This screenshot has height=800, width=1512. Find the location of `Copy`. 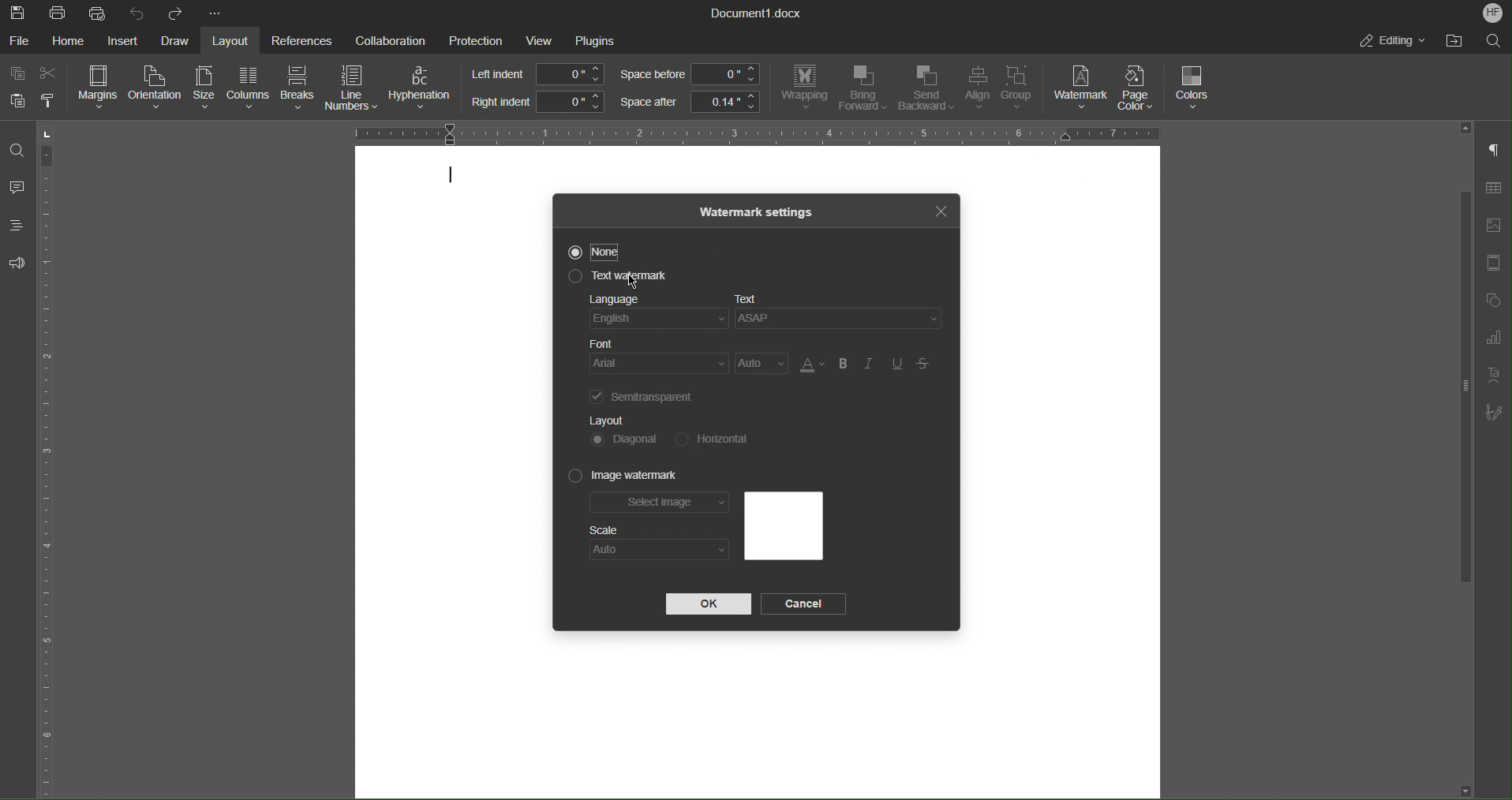

Copy is located at coordinates (19, 74).